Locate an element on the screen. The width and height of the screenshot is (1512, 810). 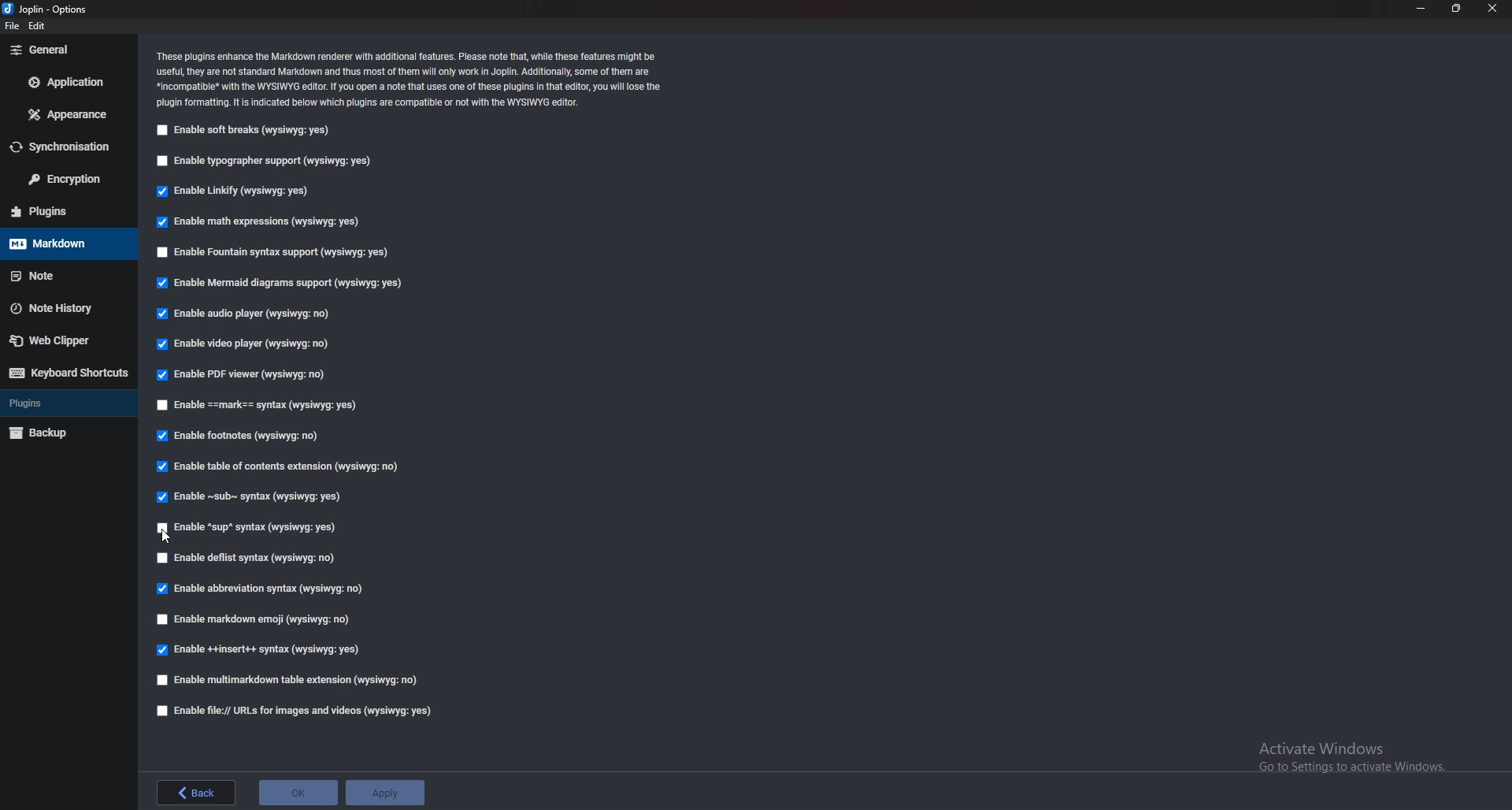
edit is located at coordinates (38, 25).